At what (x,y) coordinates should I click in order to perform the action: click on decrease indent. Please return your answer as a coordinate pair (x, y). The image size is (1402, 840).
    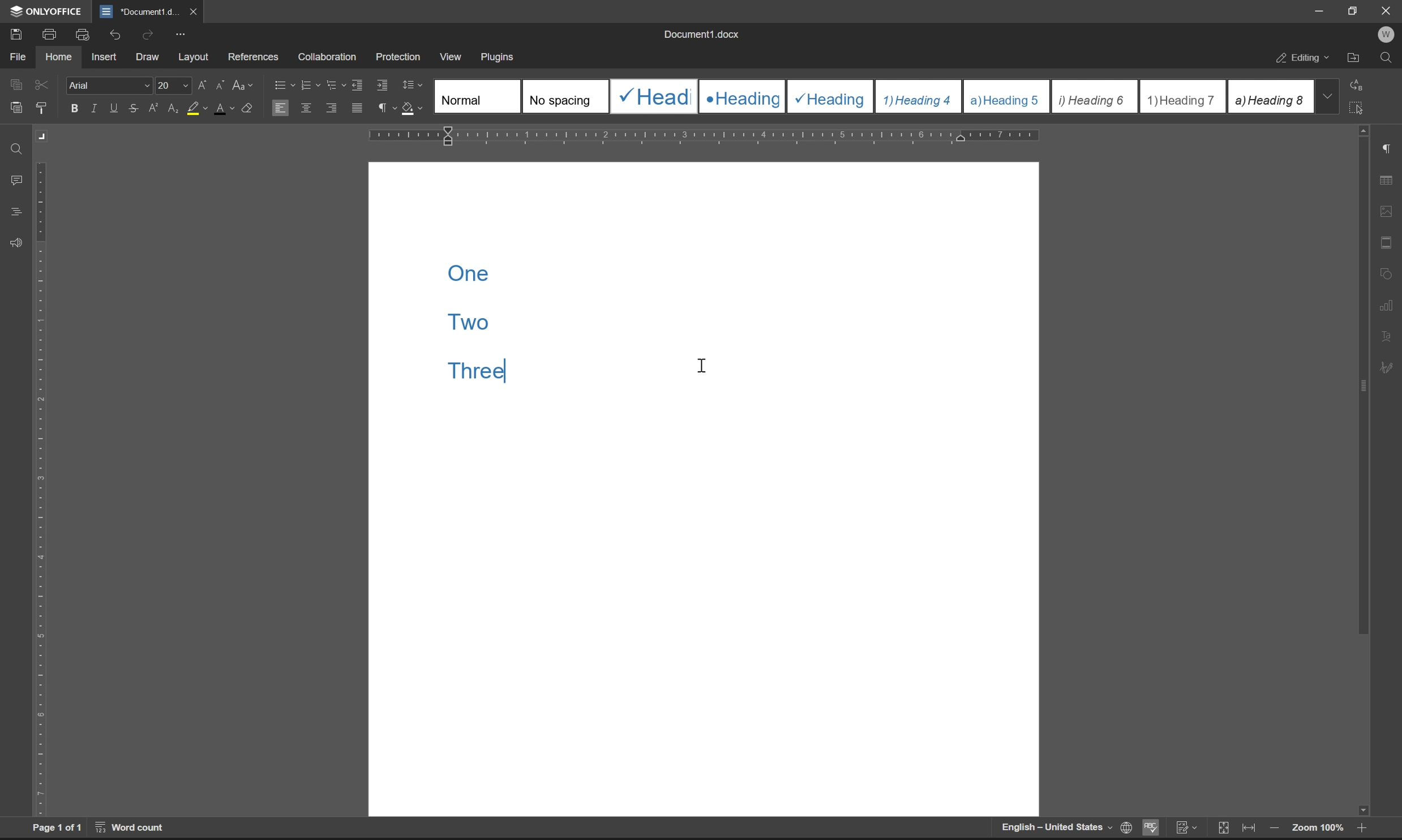
    Looking at the image, I should click on (360, 84).